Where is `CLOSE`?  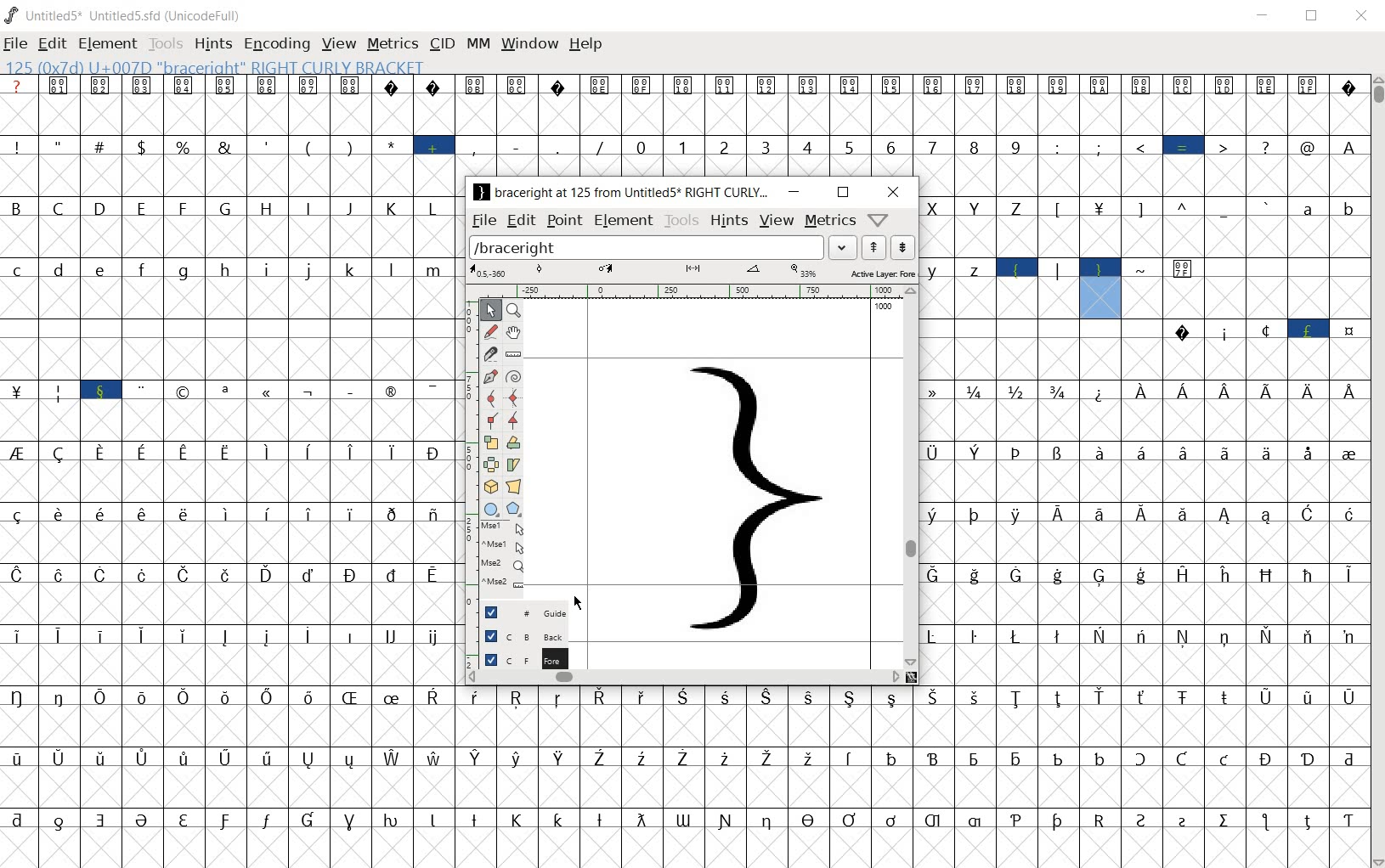 CLOSE is located at coordinates (1359, 15).